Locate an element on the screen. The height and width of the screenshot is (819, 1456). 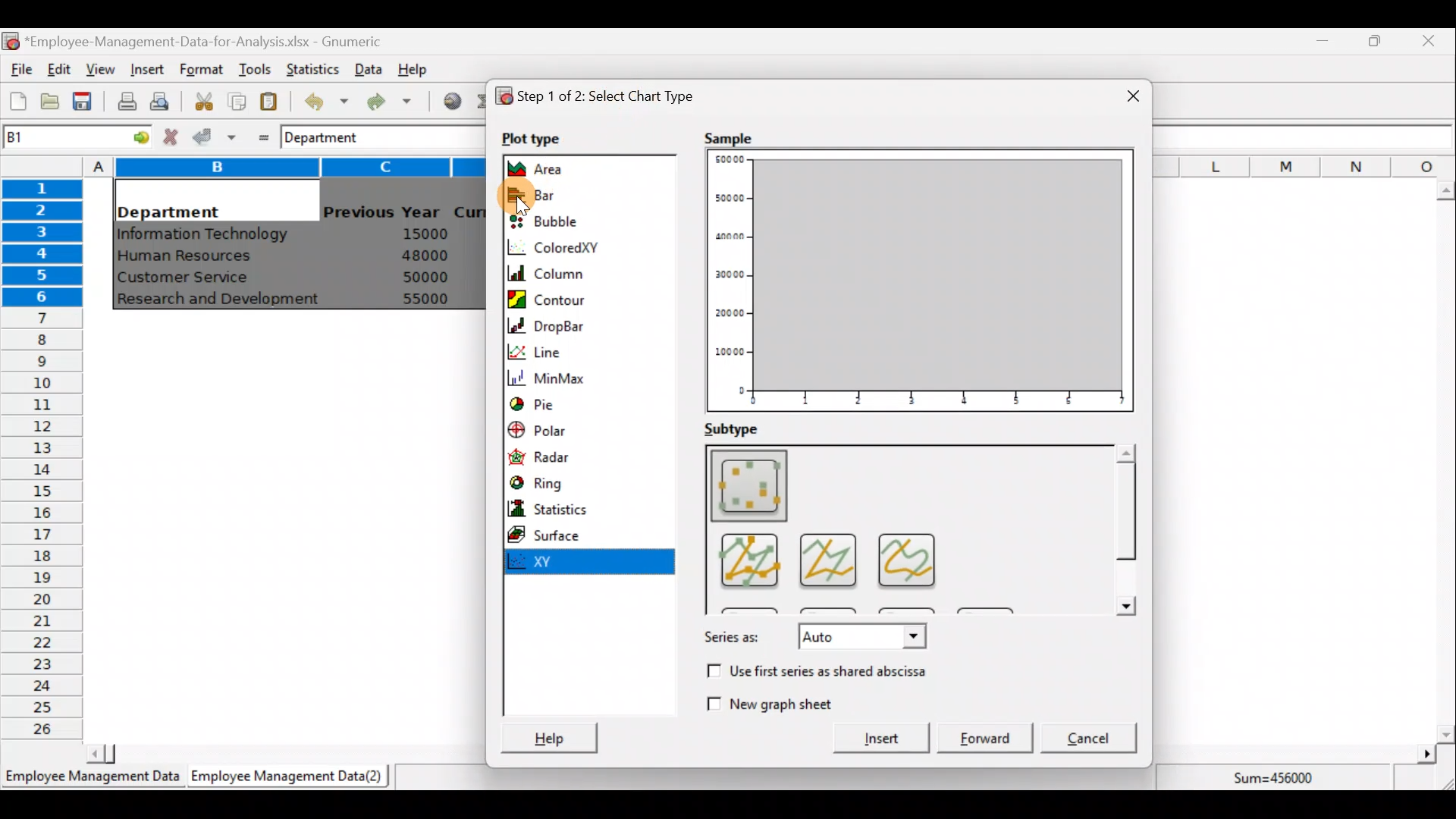
Research and Development is located at coordinates (224, 301).